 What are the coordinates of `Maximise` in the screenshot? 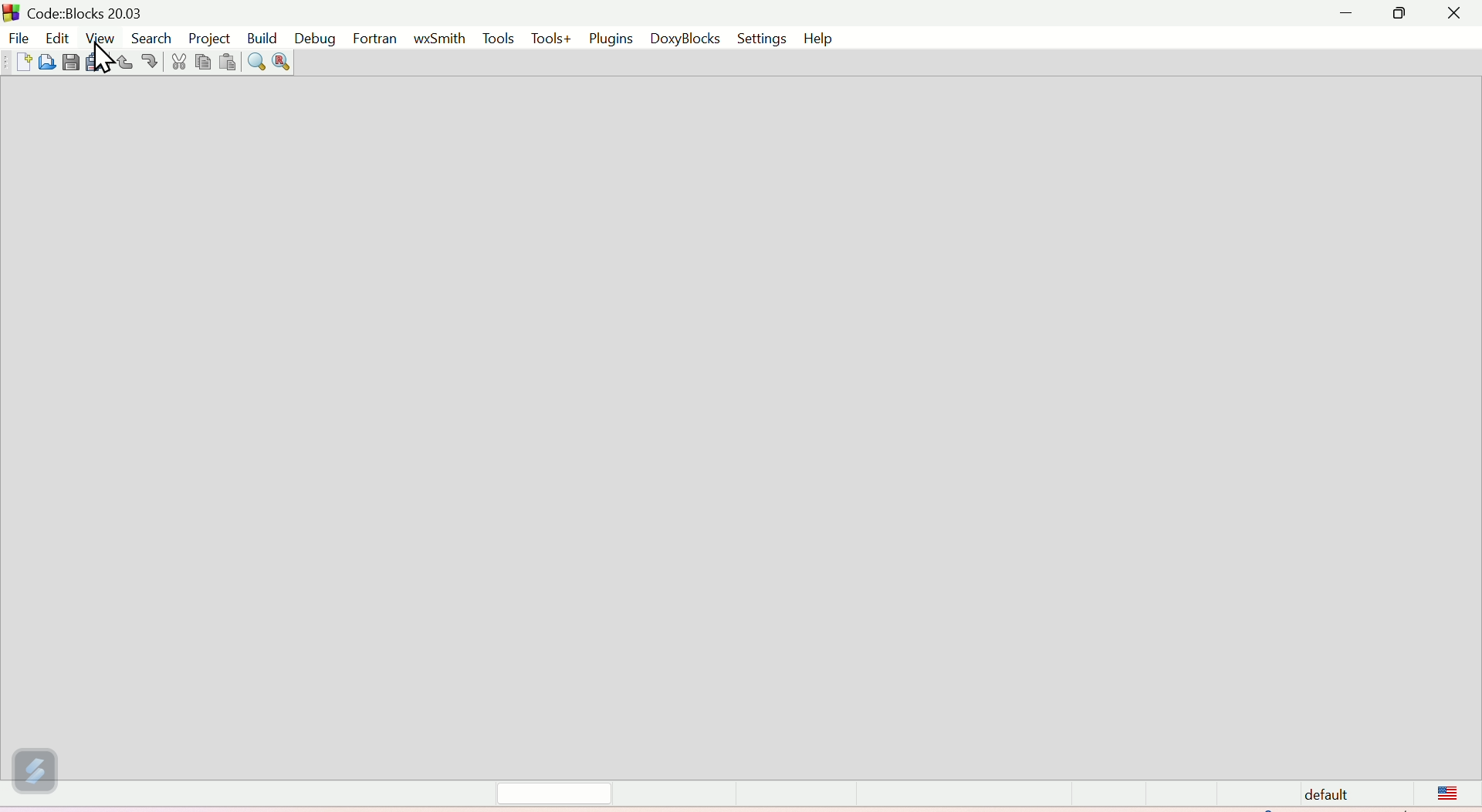 It's located at (1399, 15).